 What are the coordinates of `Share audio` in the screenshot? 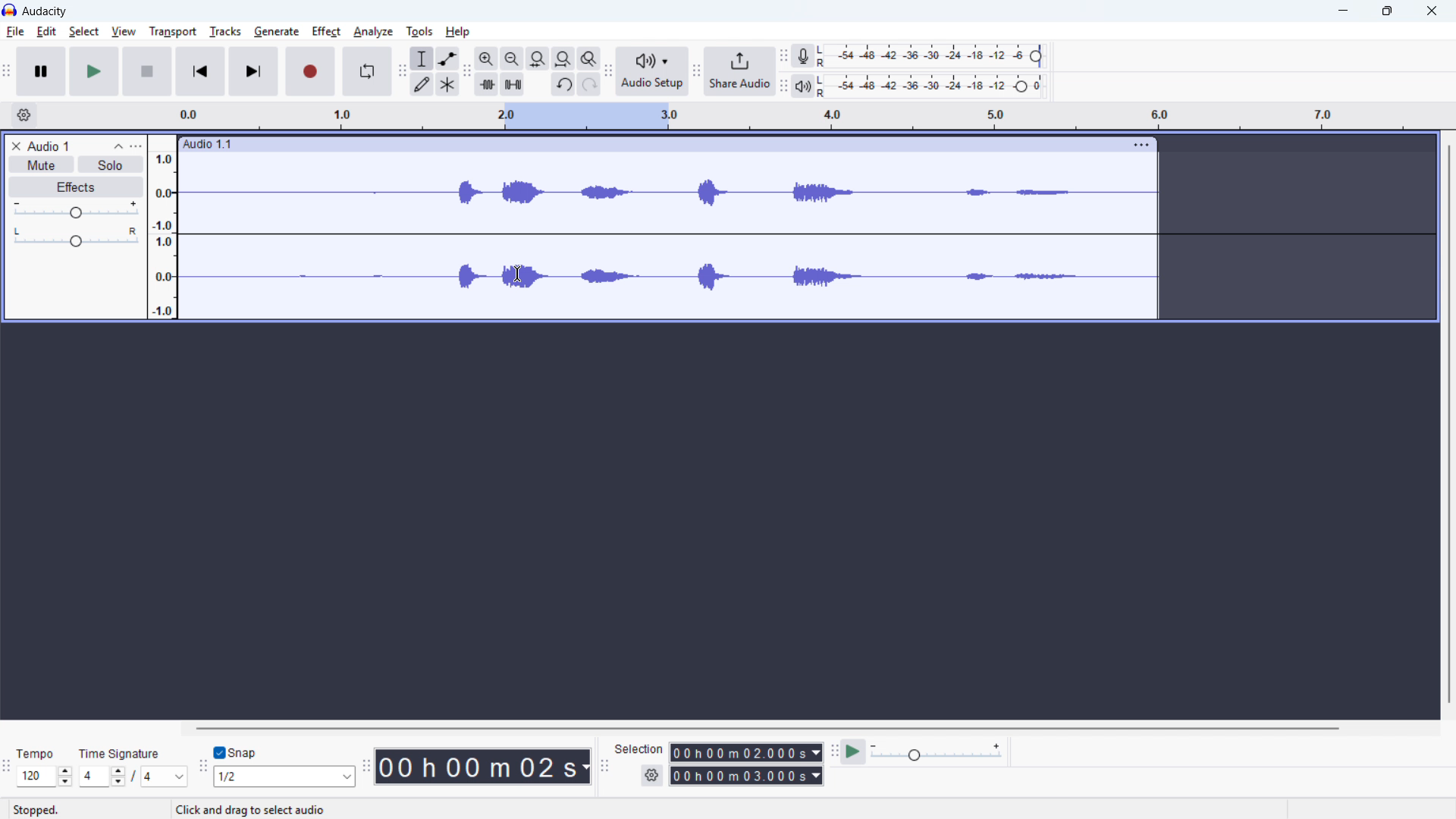 It's located at (740, 72).